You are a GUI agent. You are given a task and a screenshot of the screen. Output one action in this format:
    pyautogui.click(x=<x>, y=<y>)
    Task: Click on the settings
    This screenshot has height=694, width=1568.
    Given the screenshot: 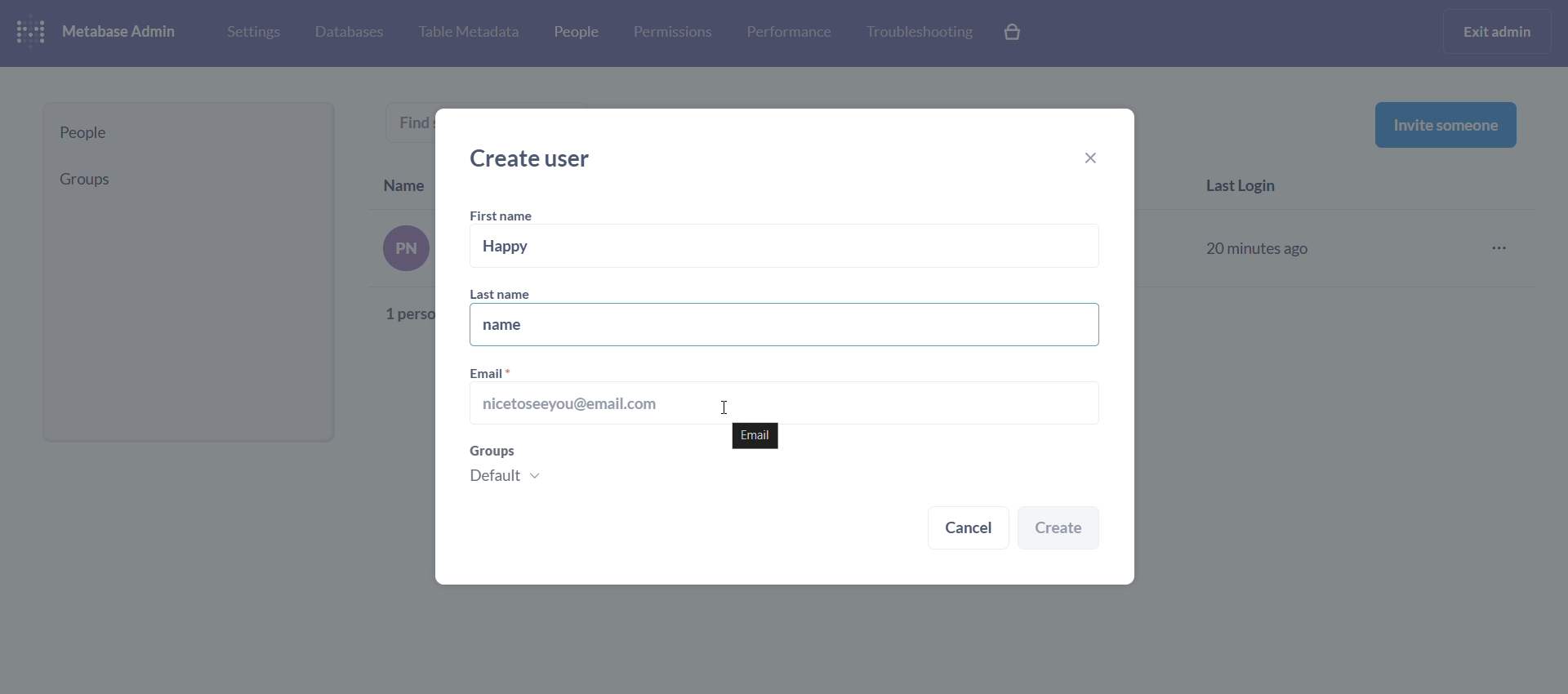 What is the action you would take?
    pyautogui.click(x=252, y=31)
    